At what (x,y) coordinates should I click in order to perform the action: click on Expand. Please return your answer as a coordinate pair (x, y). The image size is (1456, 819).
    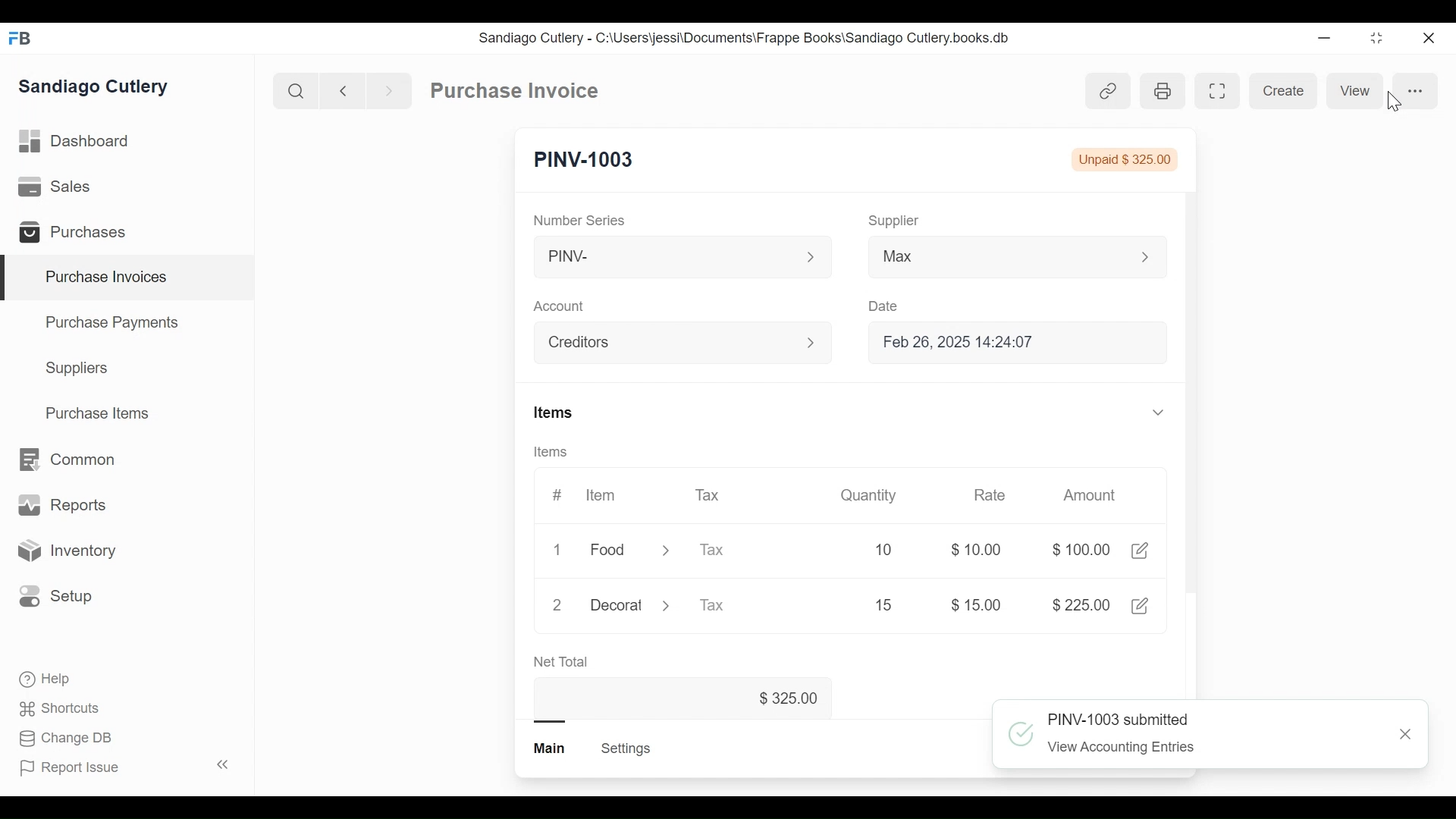
    Looking at the image, I should click on (1153, 257).